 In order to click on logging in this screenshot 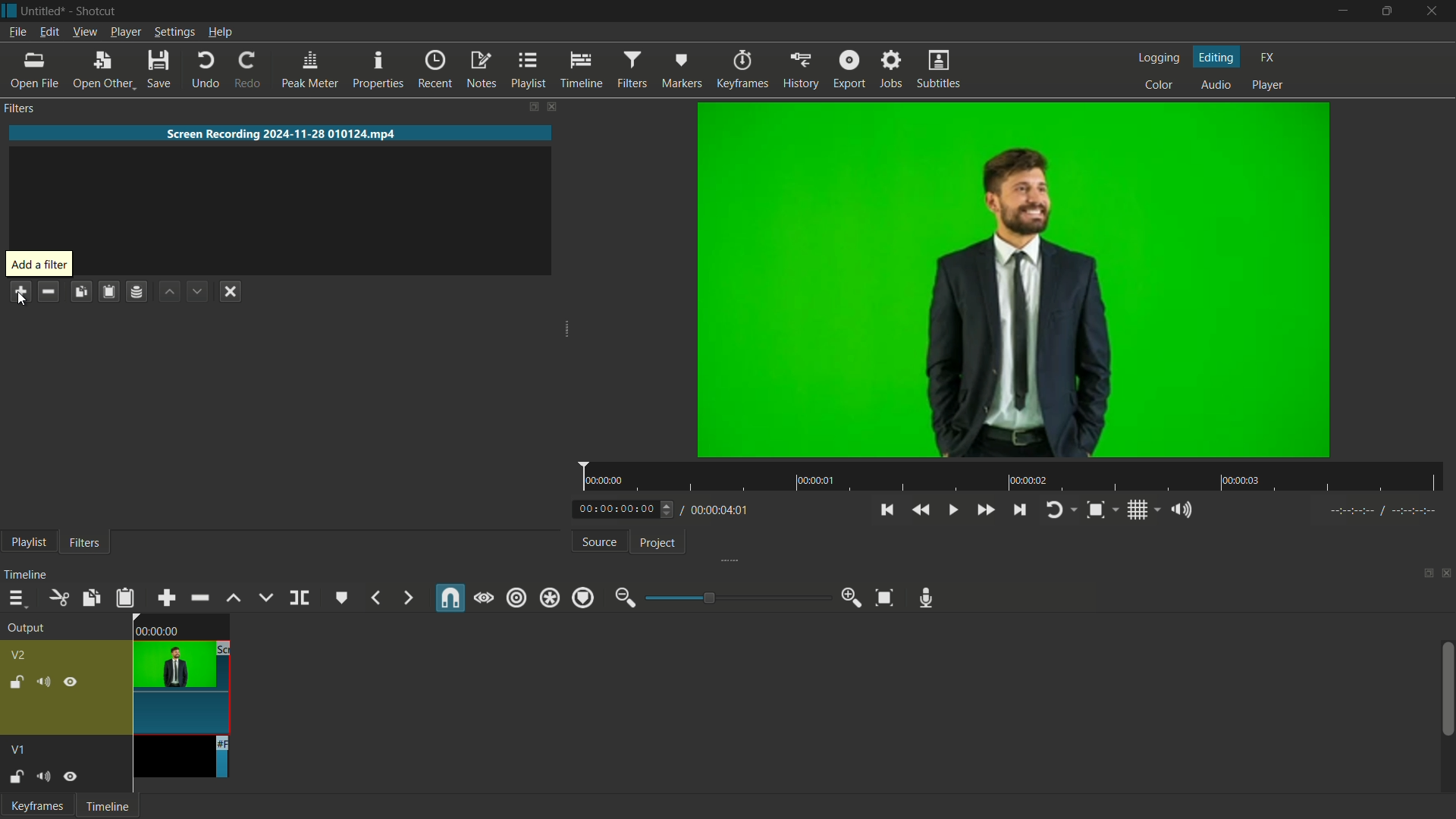, I will do `click(1158, 58)`.